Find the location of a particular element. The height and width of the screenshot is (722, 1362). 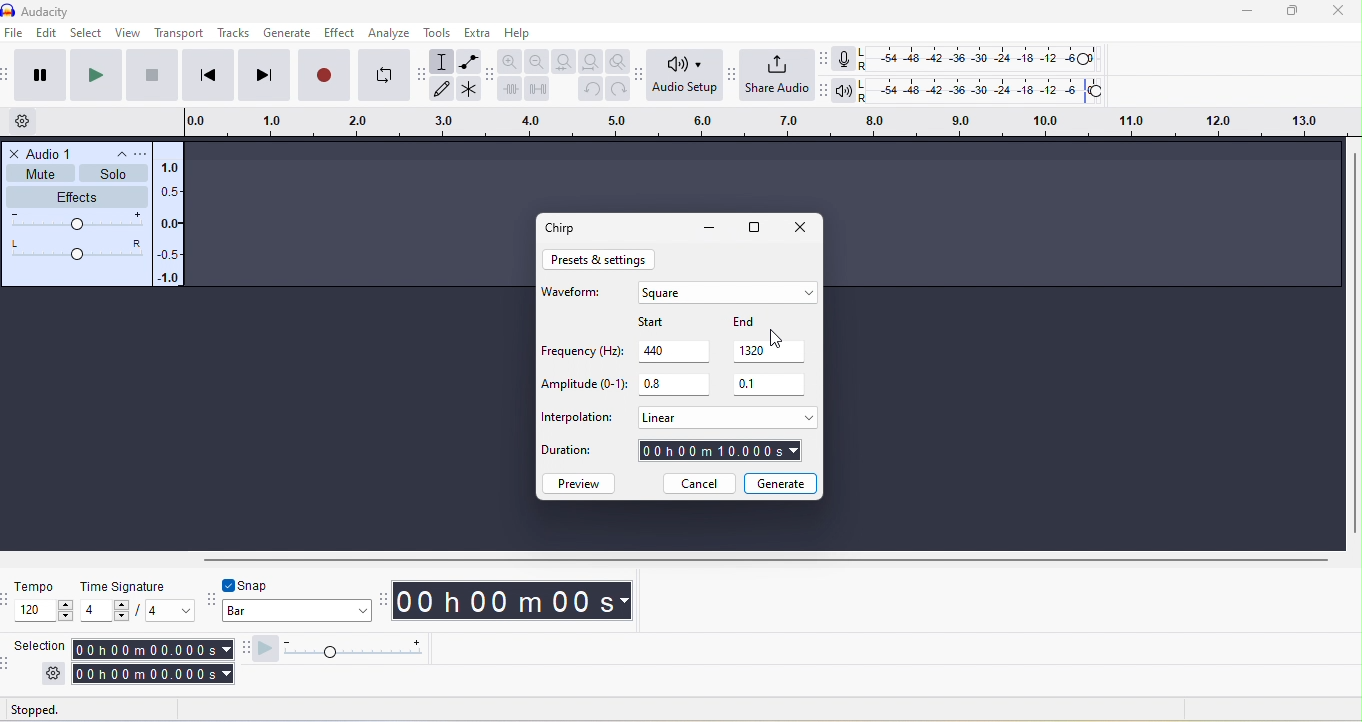

help is located at coordinates (520, 34).